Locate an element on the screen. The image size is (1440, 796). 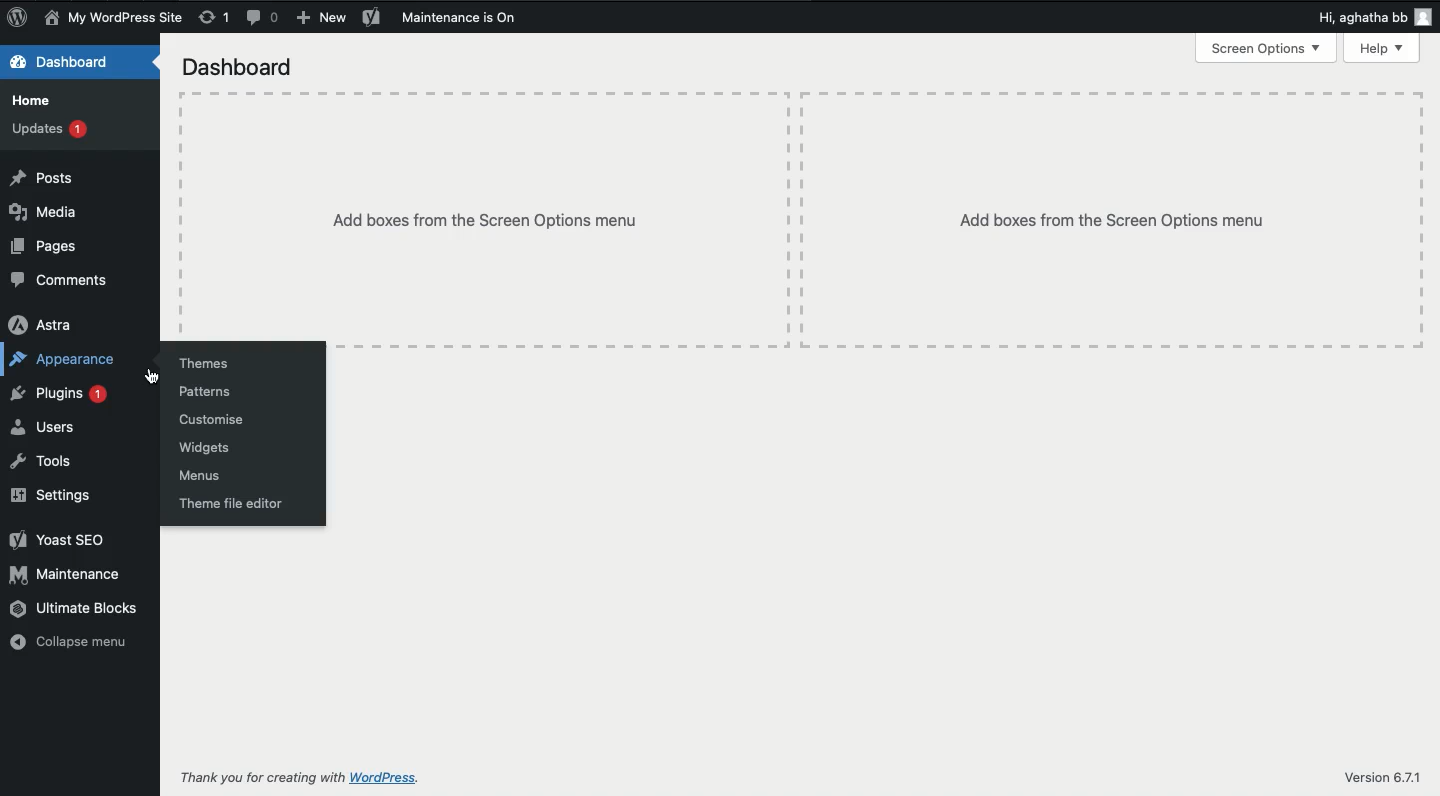
Version 6.7.1 is located at coordinates (1386, 779).